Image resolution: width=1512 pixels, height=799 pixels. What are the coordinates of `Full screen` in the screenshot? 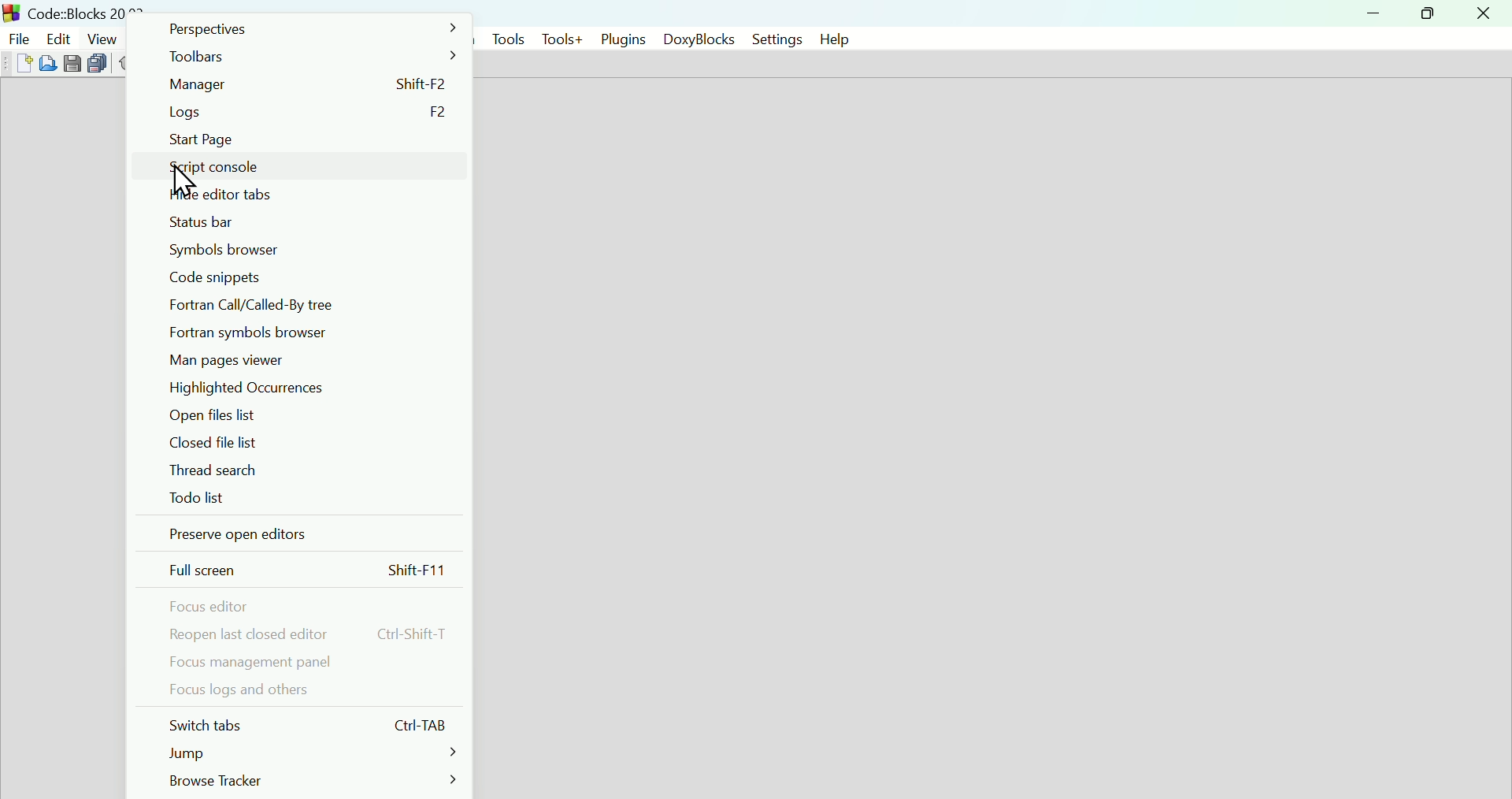 It's located at (306, 570).